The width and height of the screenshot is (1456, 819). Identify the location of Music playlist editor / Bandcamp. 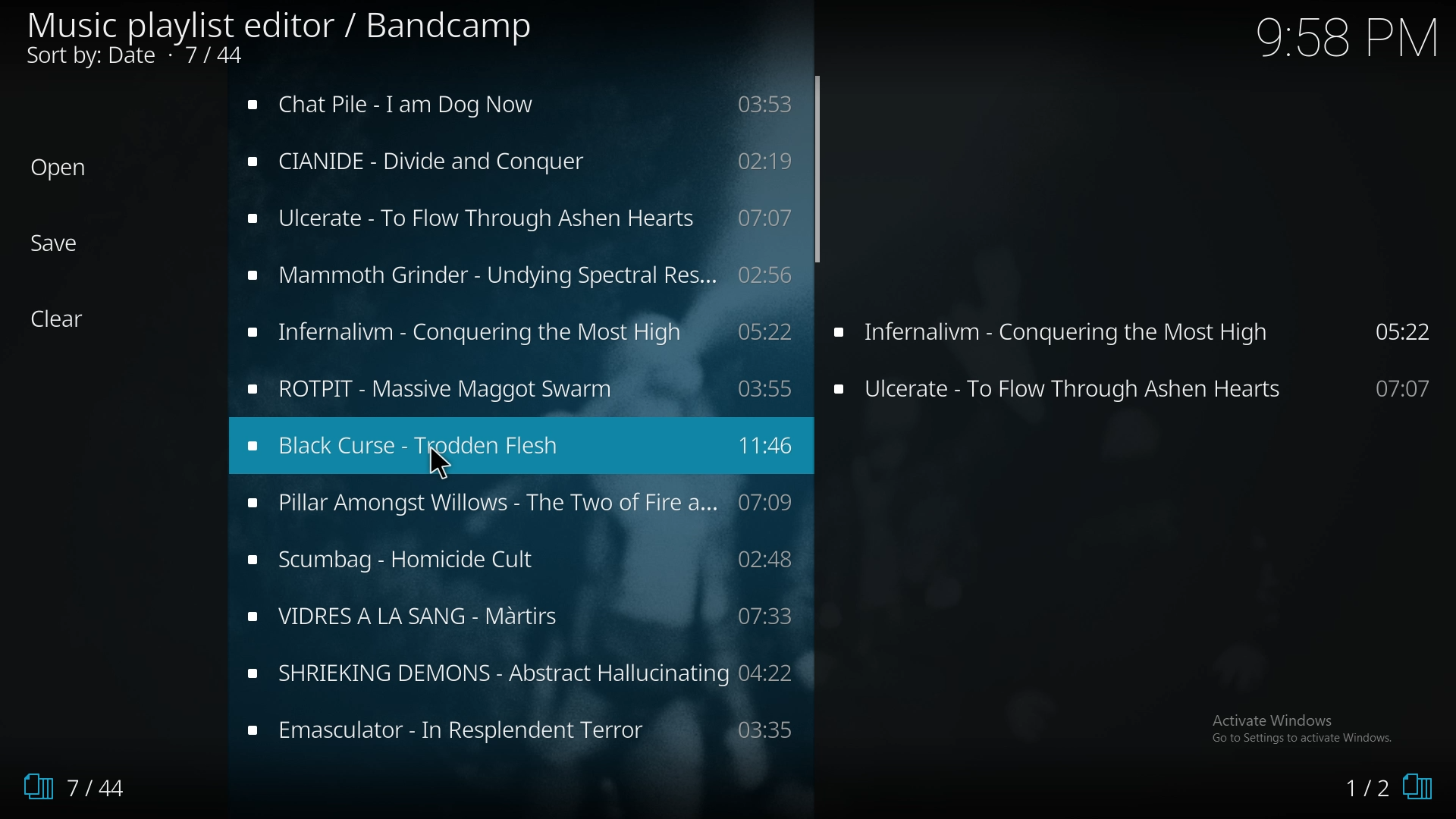
(281, 26).